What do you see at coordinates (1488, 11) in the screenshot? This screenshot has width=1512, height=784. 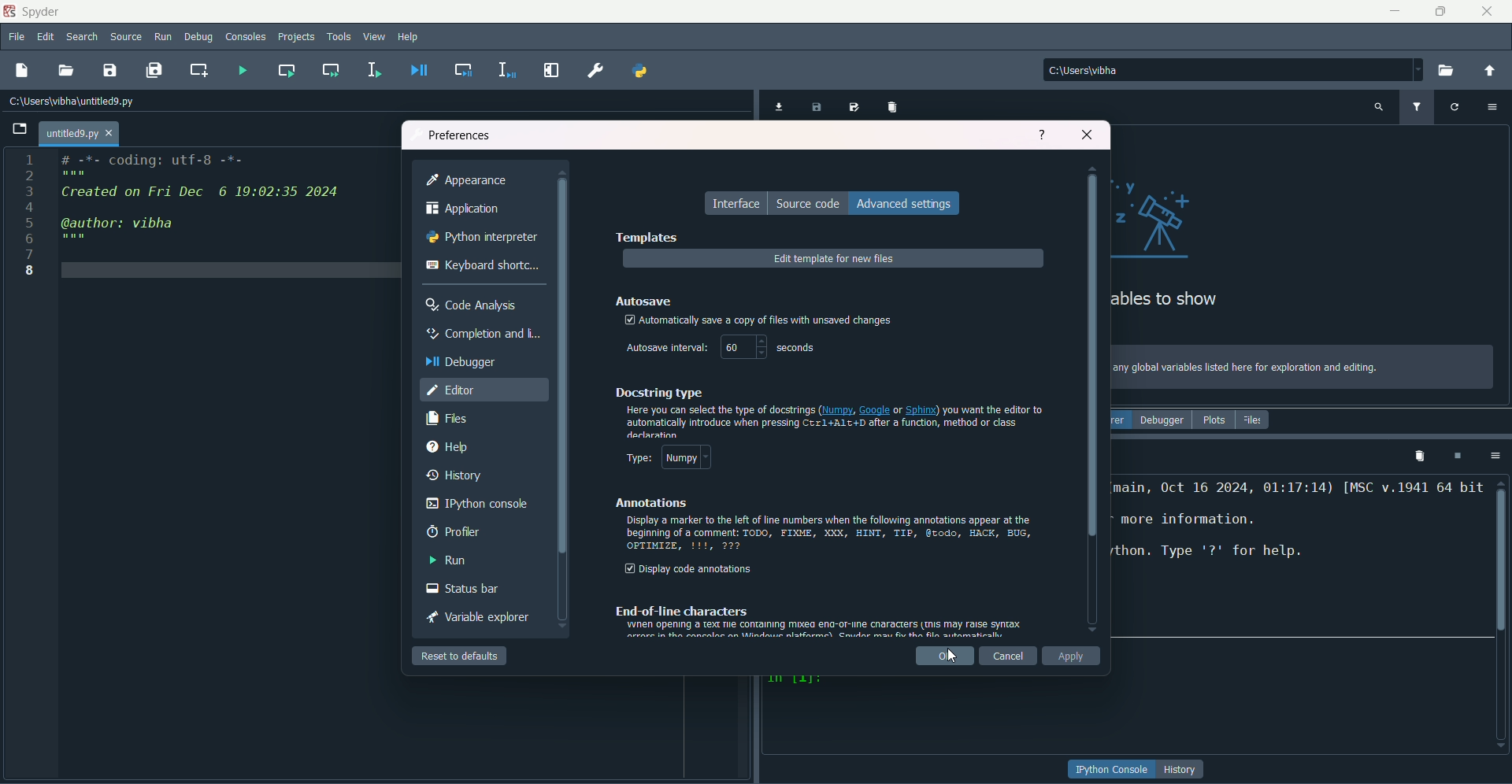 I see `close` at bounding box center [1488, 11].